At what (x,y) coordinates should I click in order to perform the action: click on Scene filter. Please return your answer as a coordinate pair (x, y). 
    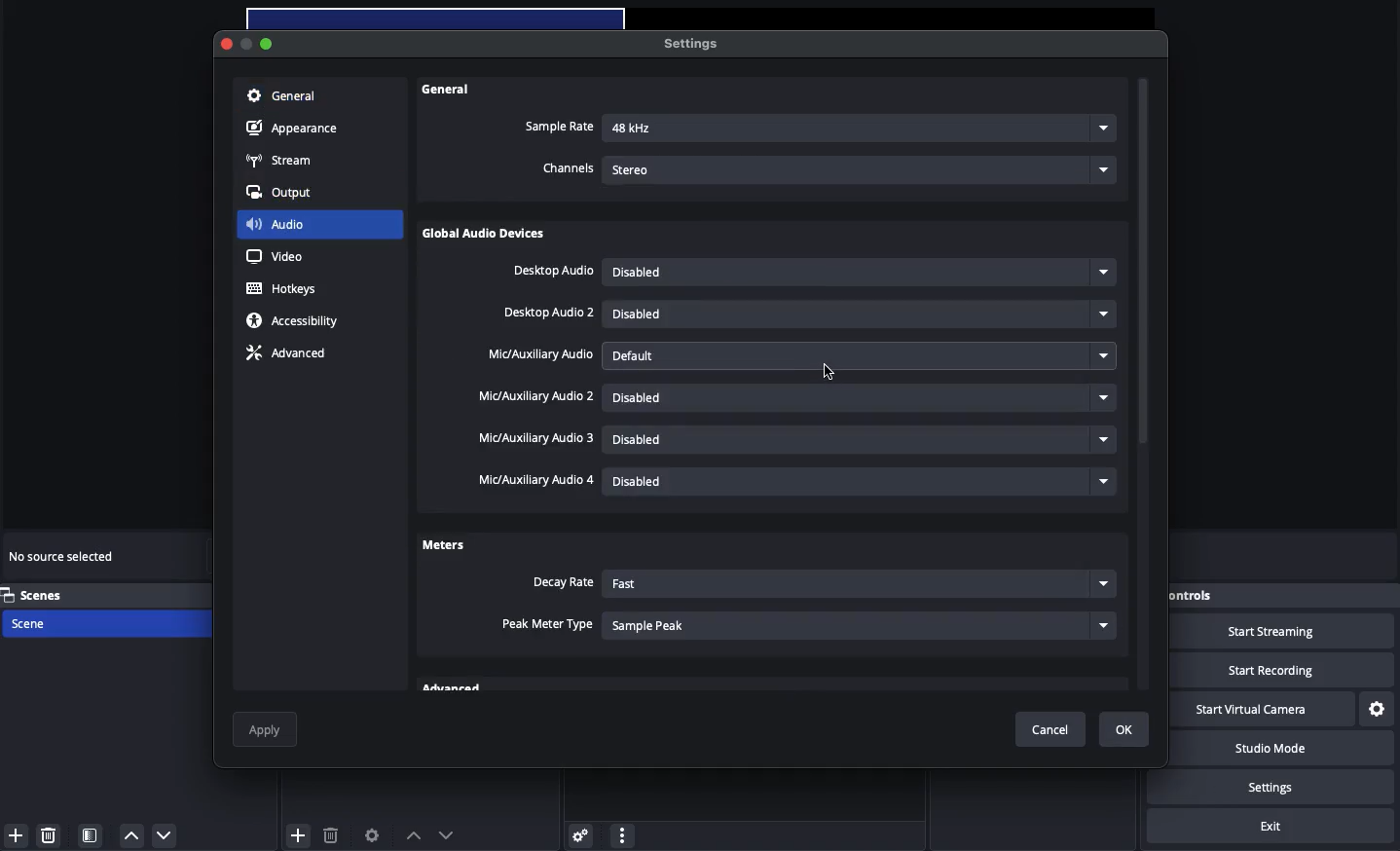
    Looking at the image, I should click on (91, 835).